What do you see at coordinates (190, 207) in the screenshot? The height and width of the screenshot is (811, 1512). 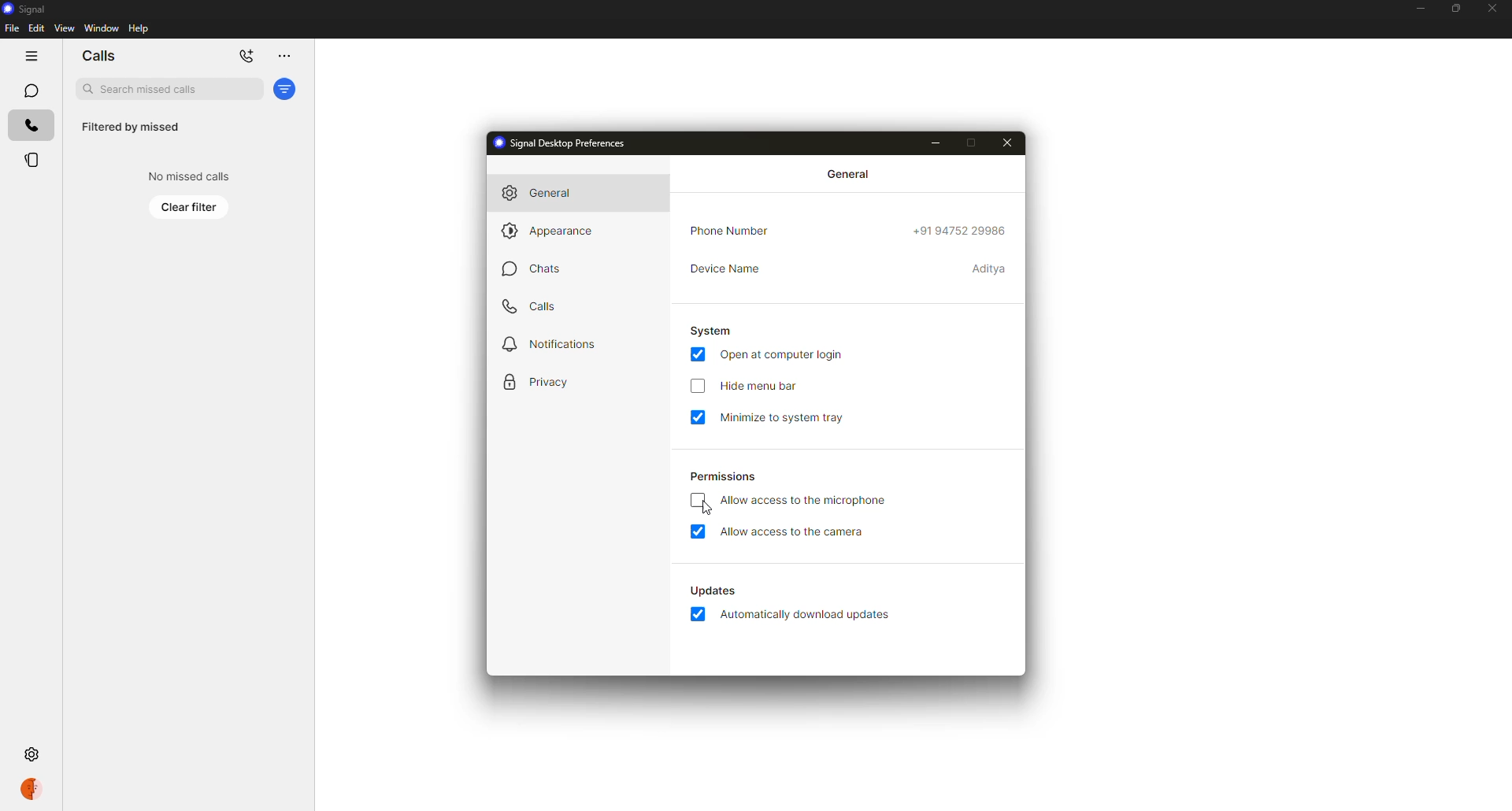 I see `clear filter` at bounding box center [190, 207].